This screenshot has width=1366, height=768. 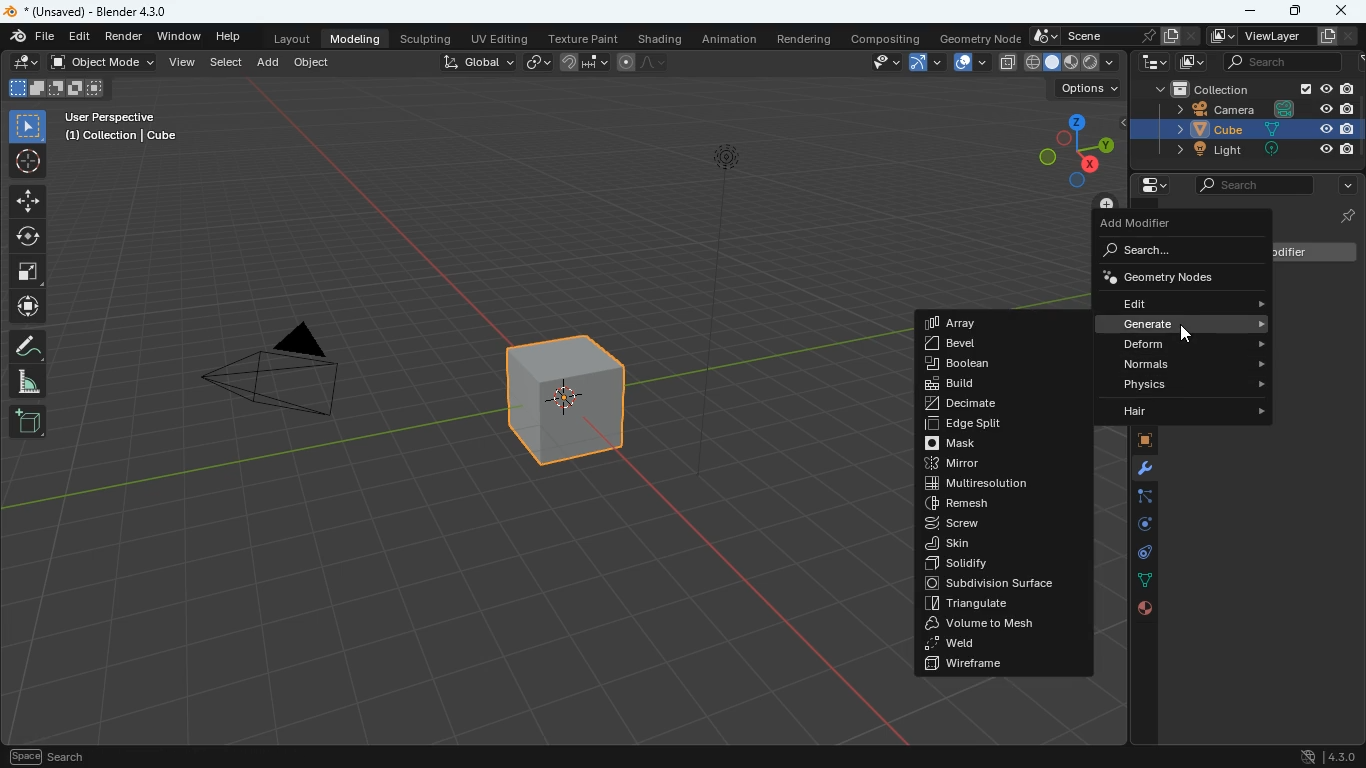 I want to click on hair, so click(x=1186, y=413).